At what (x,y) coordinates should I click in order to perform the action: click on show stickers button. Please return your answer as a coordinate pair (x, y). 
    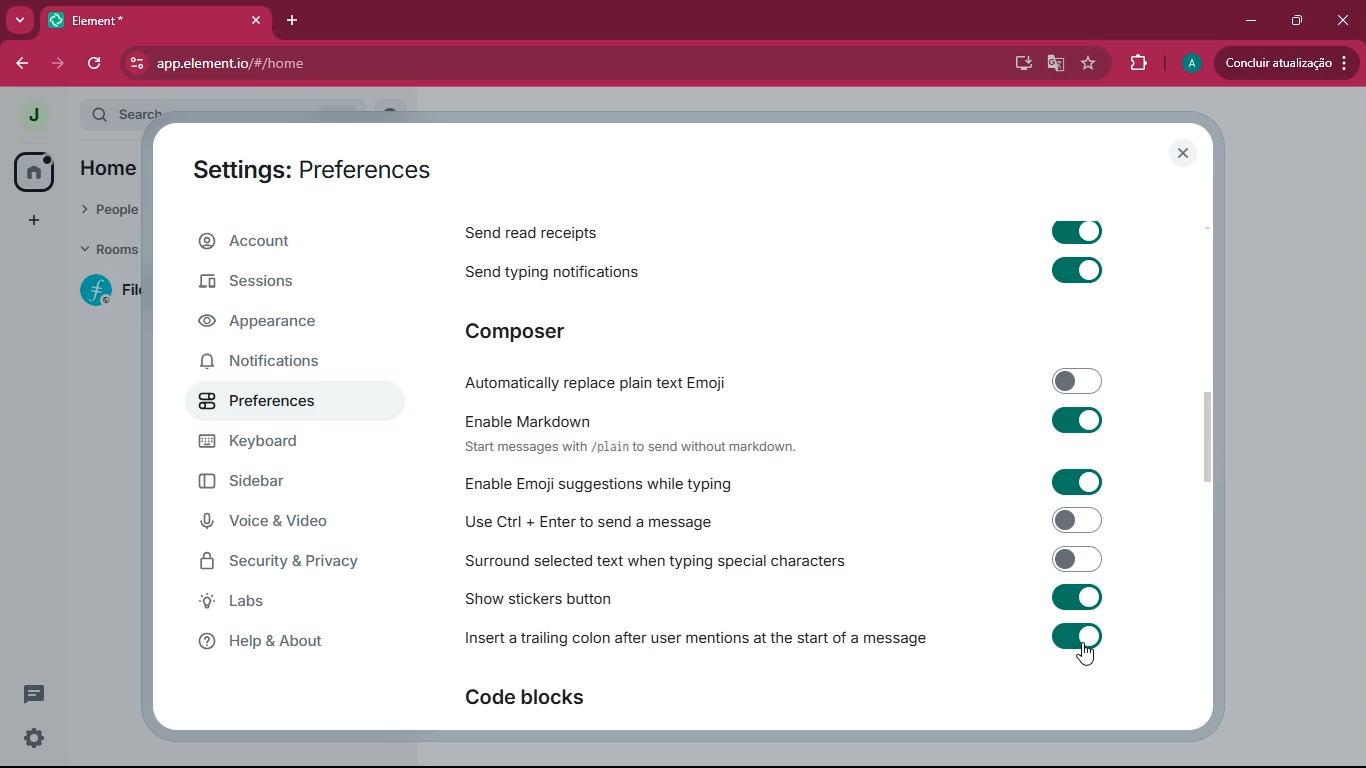
    Looking at the image, I should click on (779, 595).